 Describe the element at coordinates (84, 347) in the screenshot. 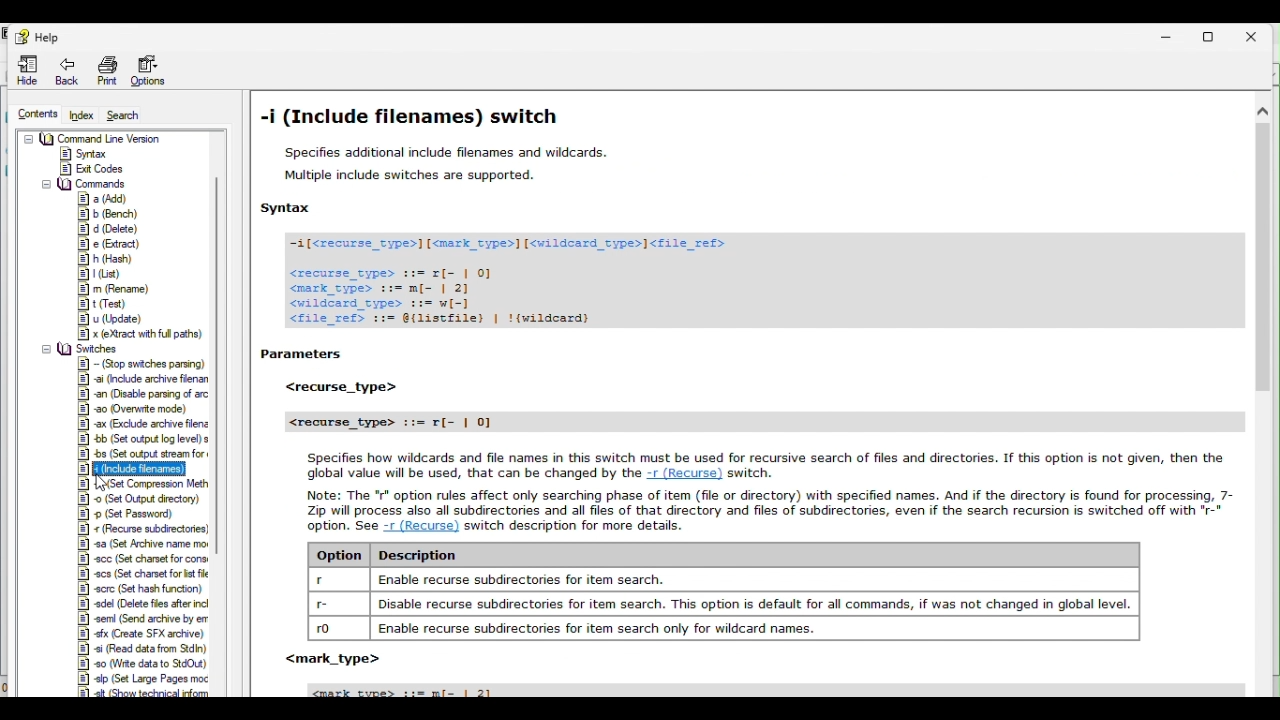

I see `Switches` at that location.